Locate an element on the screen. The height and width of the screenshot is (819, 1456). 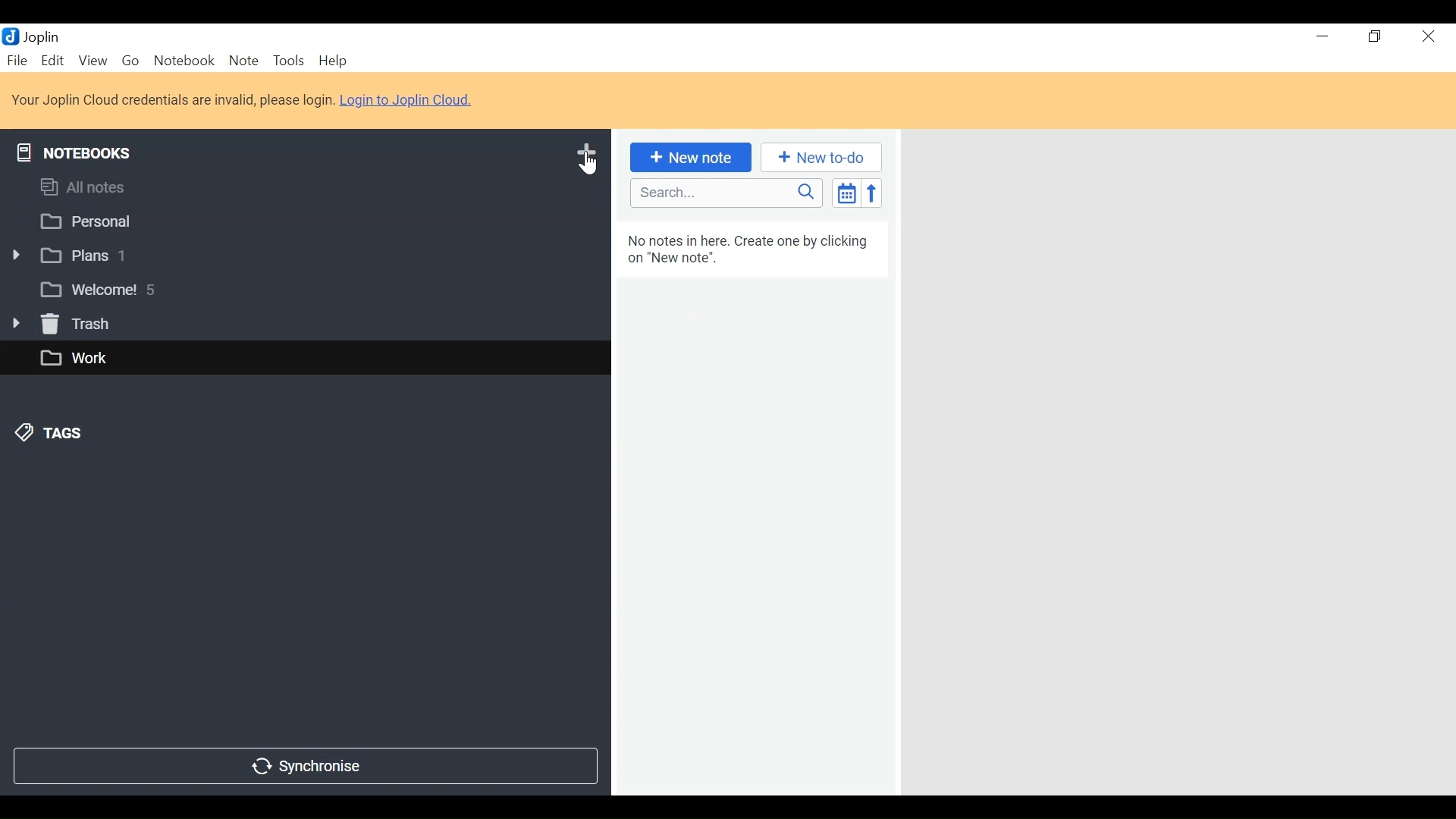
File is located at coordinates (16, 59).